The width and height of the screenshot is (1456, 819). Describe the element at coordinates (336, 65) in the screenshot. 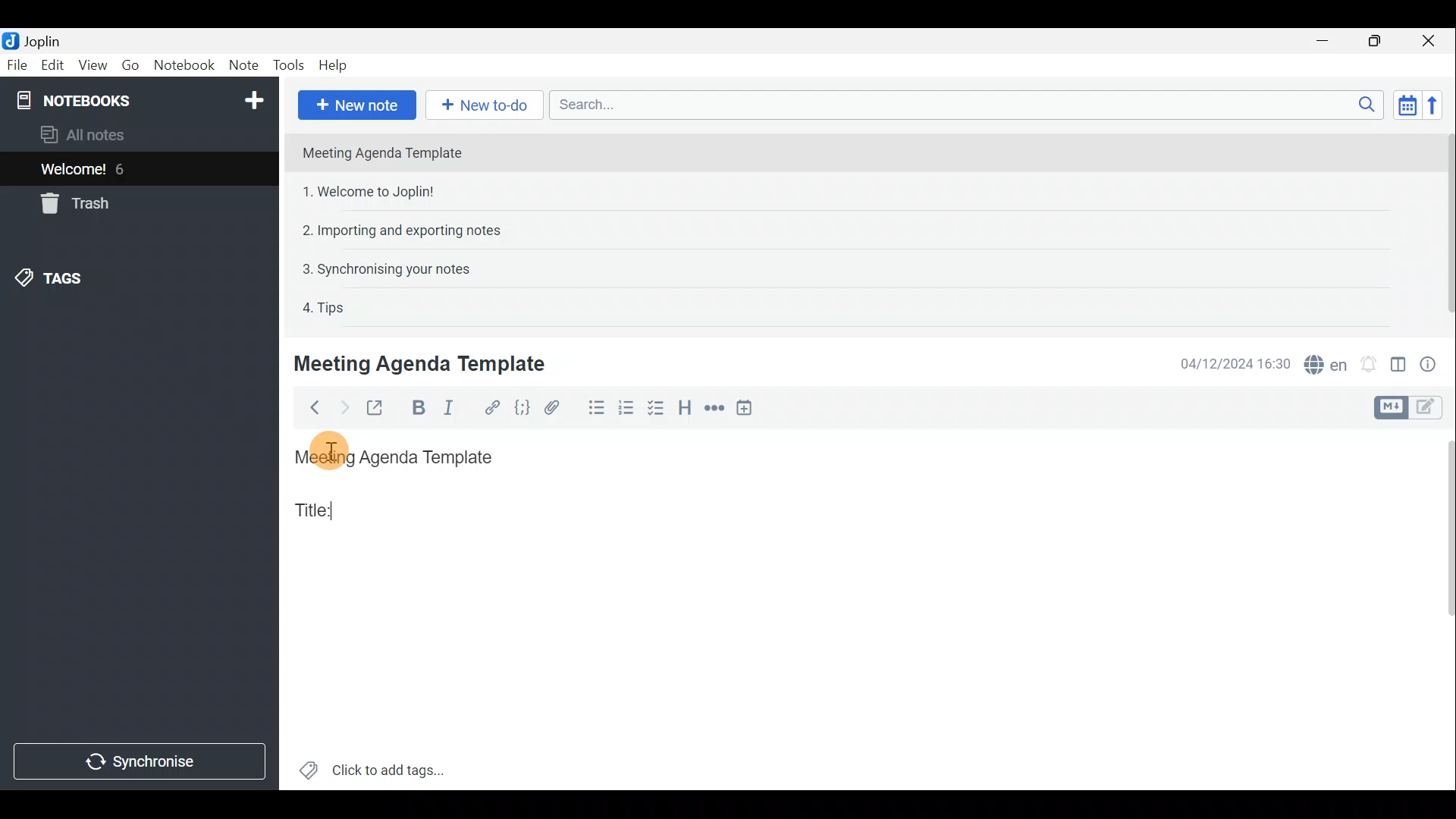

I see `Help` at that location.